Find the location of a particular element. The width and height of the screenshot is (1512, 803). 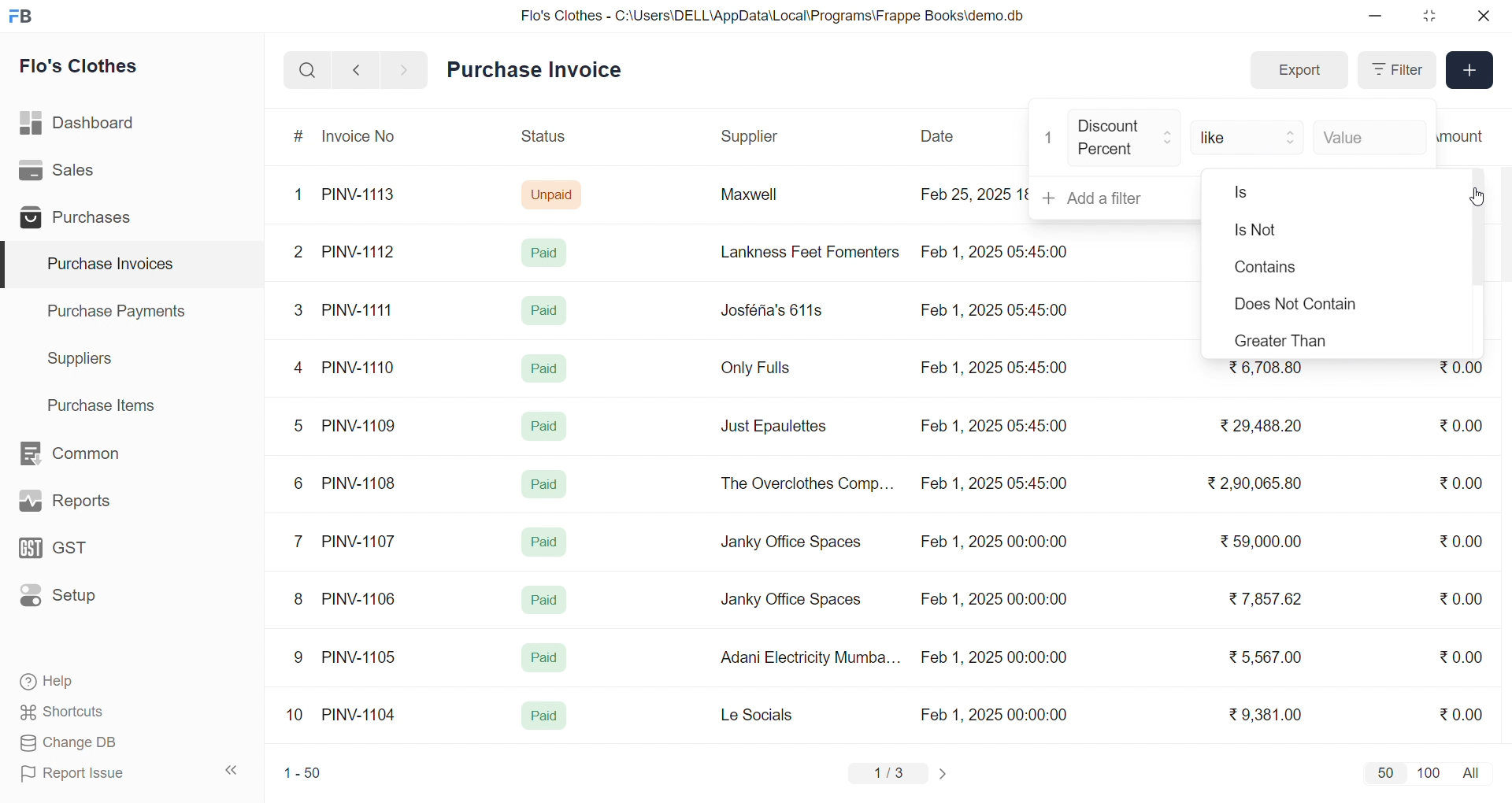

6 is located at coordinates (298, 483).